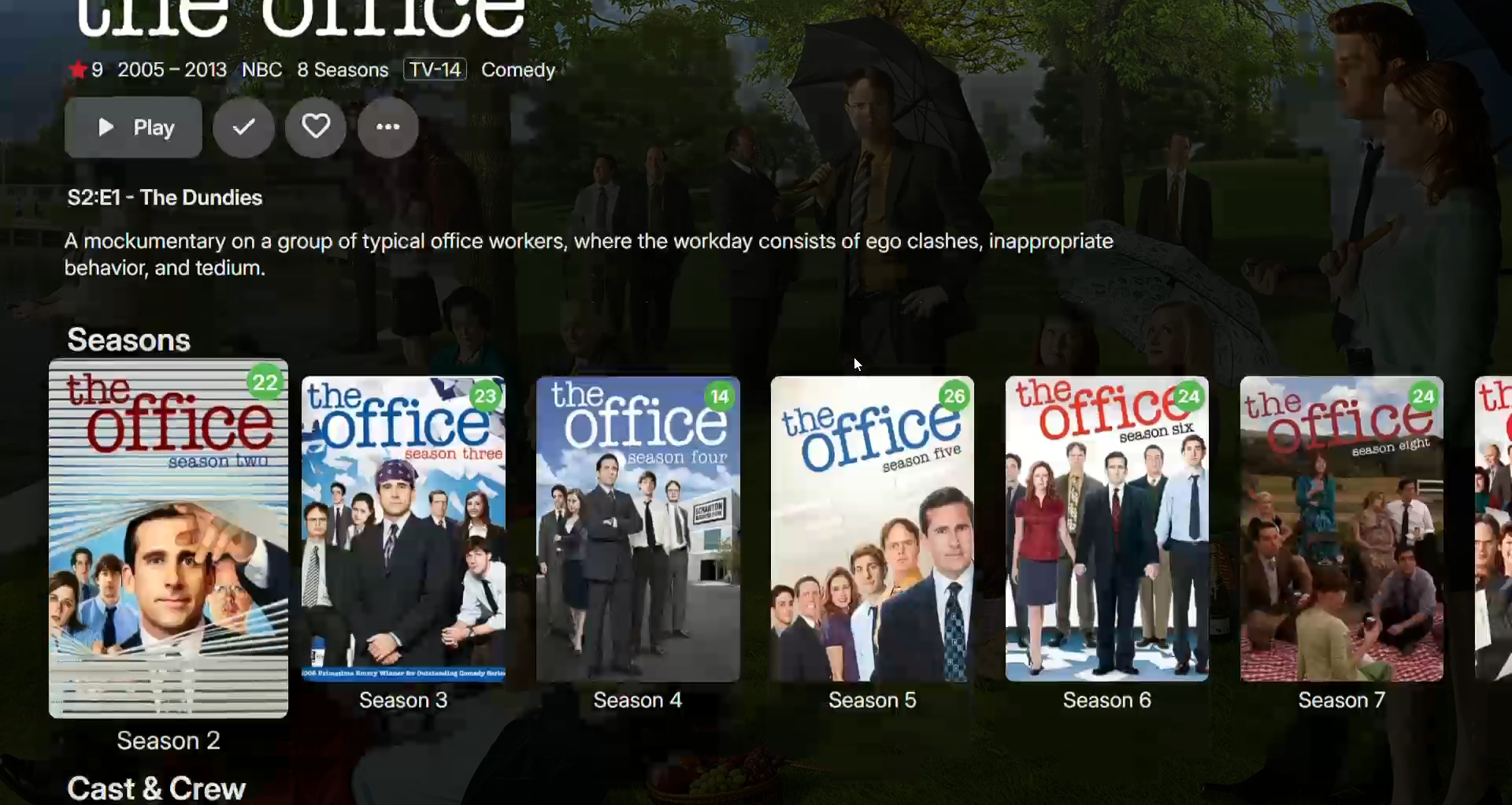 The height and width of the screenshot is (805, 1512). I want to click on Ratings and Details, so click(318, 72).